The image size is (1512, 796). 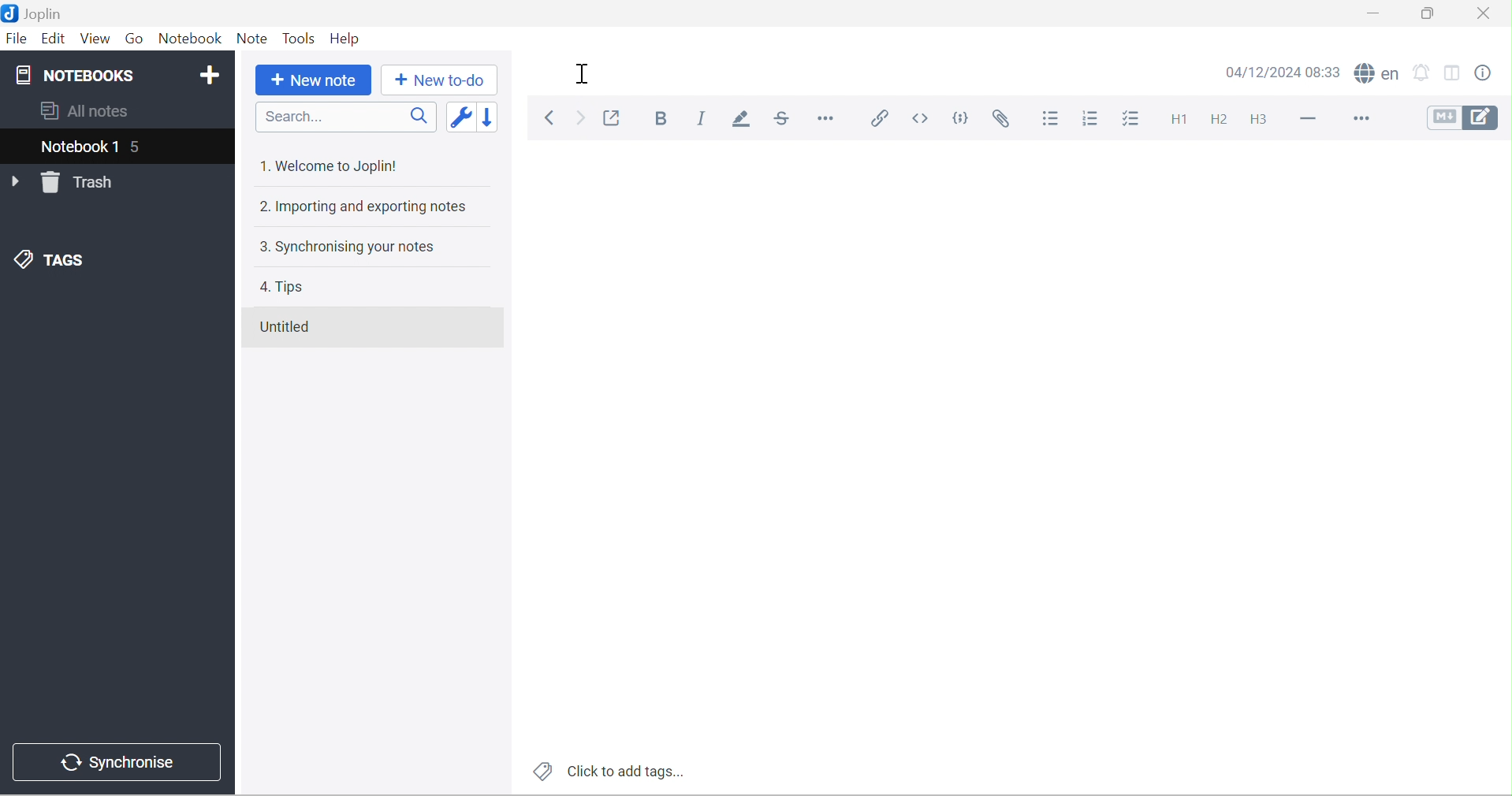 I want to click on Note, so click(x=253, y=38).